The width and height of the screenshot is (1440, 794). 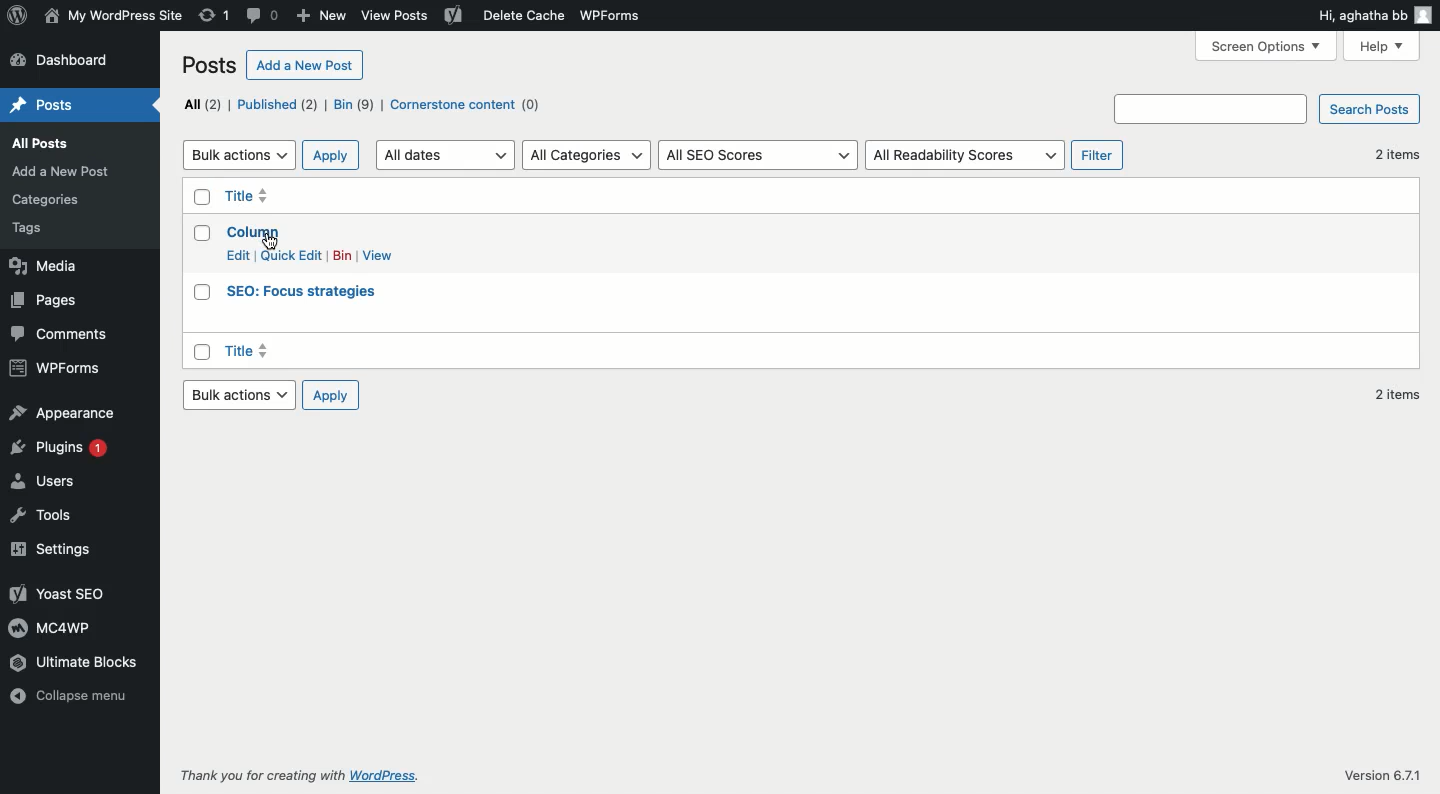 I want to click on Hi user, so click(x=1373, y=13).